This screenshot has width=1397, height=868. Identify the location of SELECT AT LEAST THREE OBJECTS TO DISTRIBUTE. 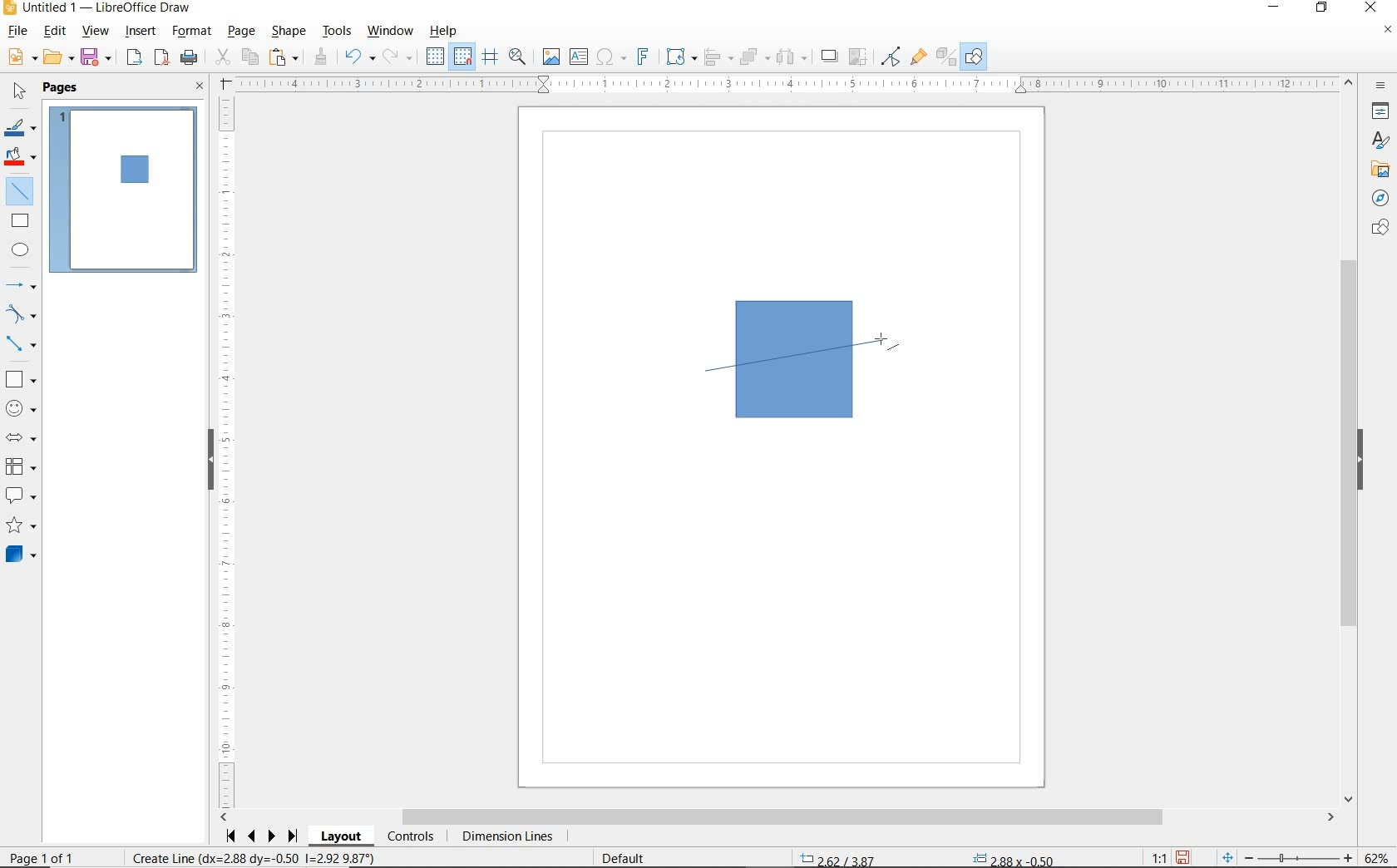
(792, 57).